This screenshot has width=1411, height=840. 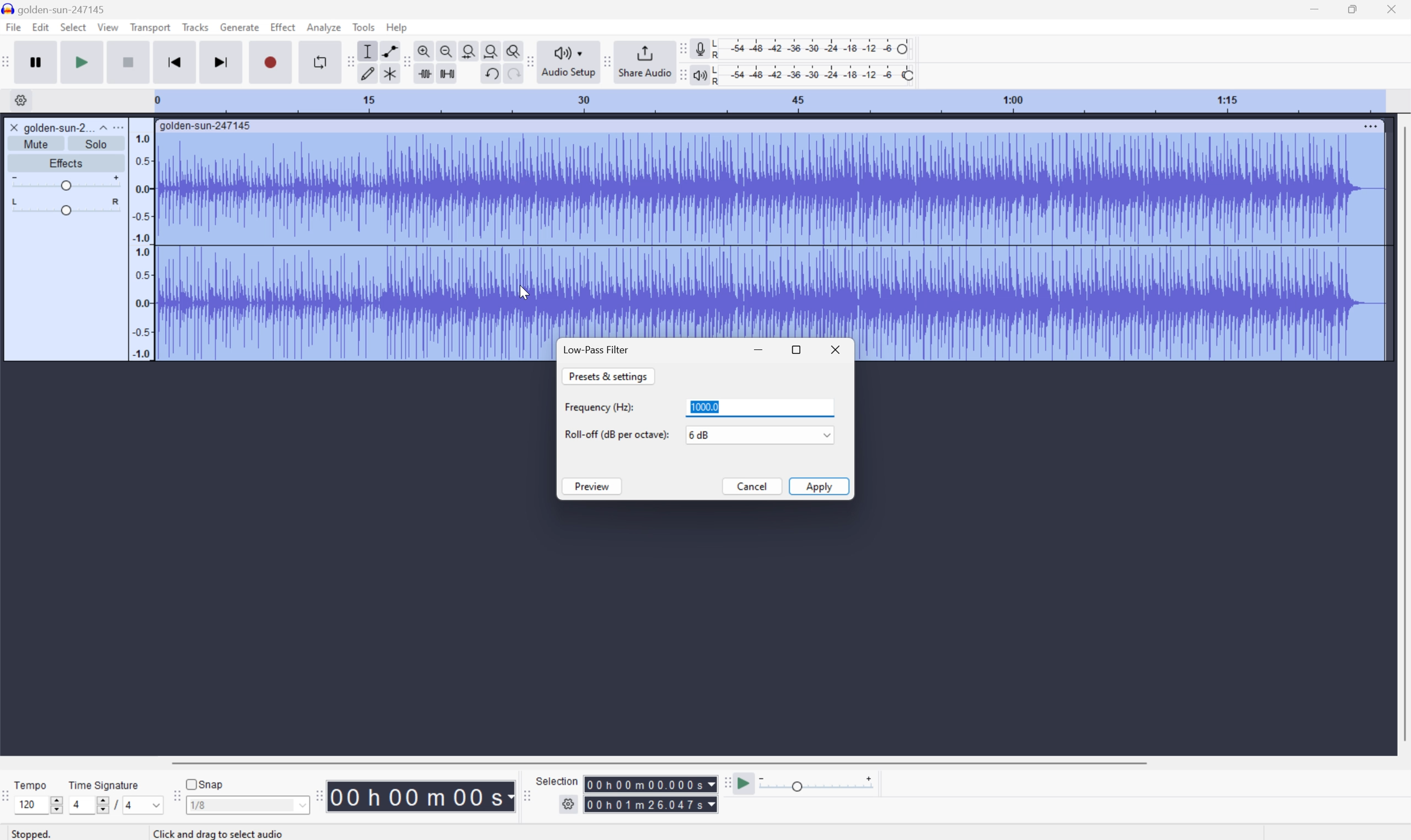 I want to click on Scroll Bar, so click(x=659, y=762).